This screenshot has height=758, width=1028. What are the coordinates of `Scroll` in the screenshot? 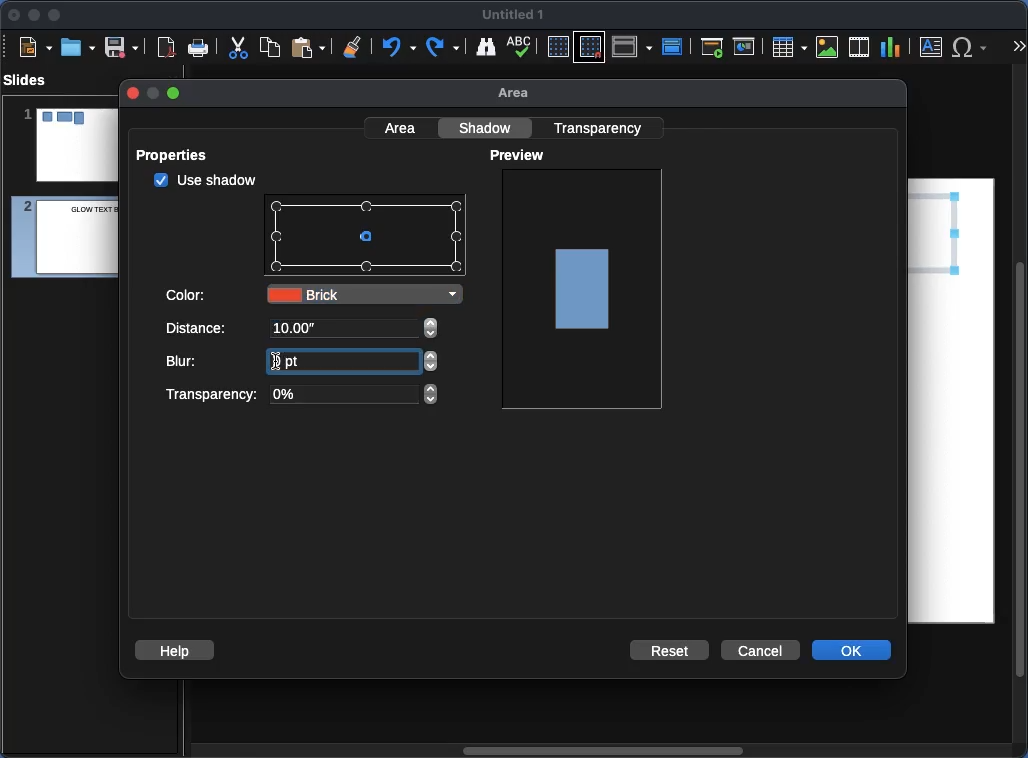 It's located at (1022, 413).